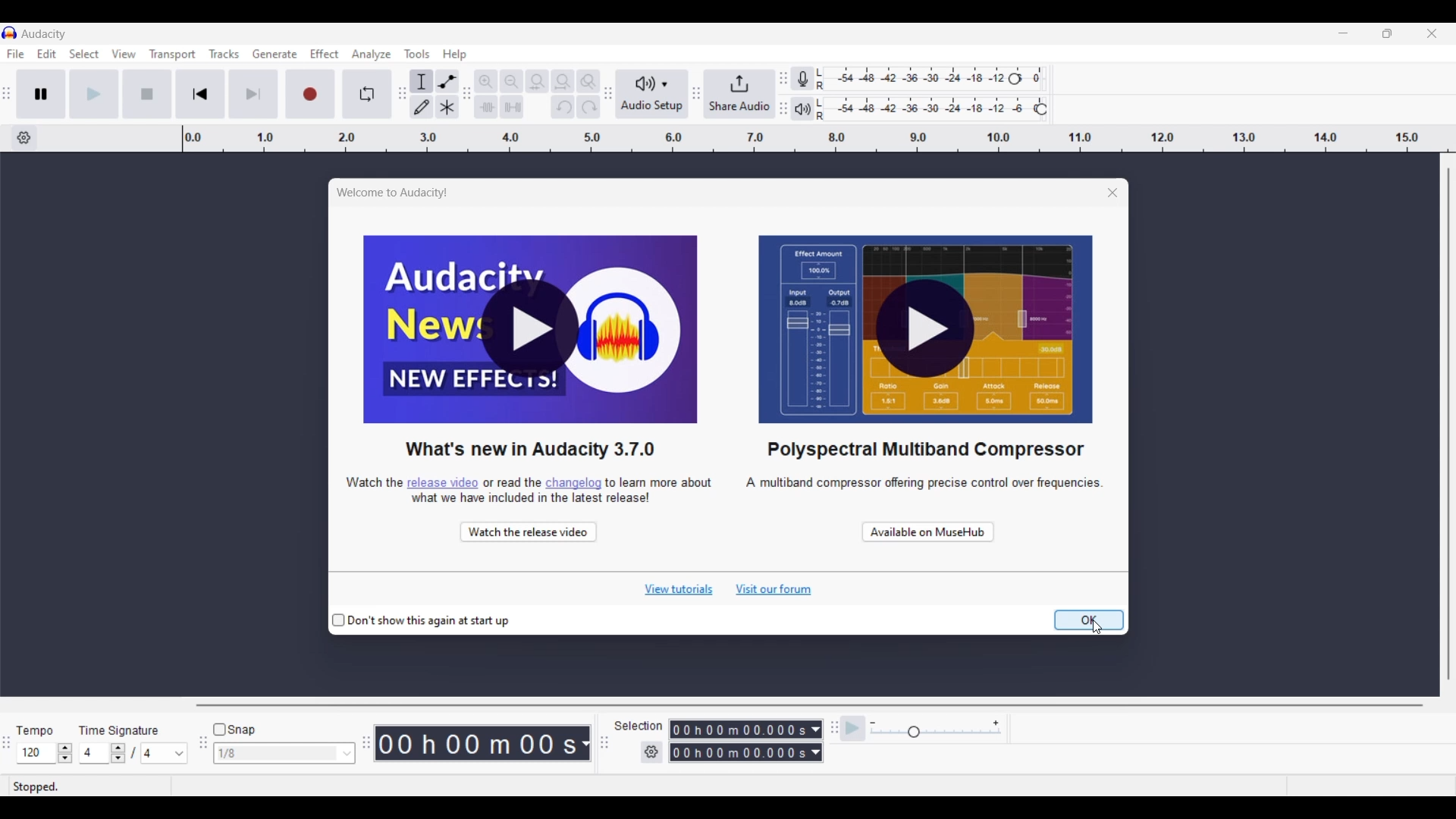 The width and height of the screenshot is (1456, 819). Describe the element at coordinates (234, 730) in the screenshot. I see `Snap ` at that location.